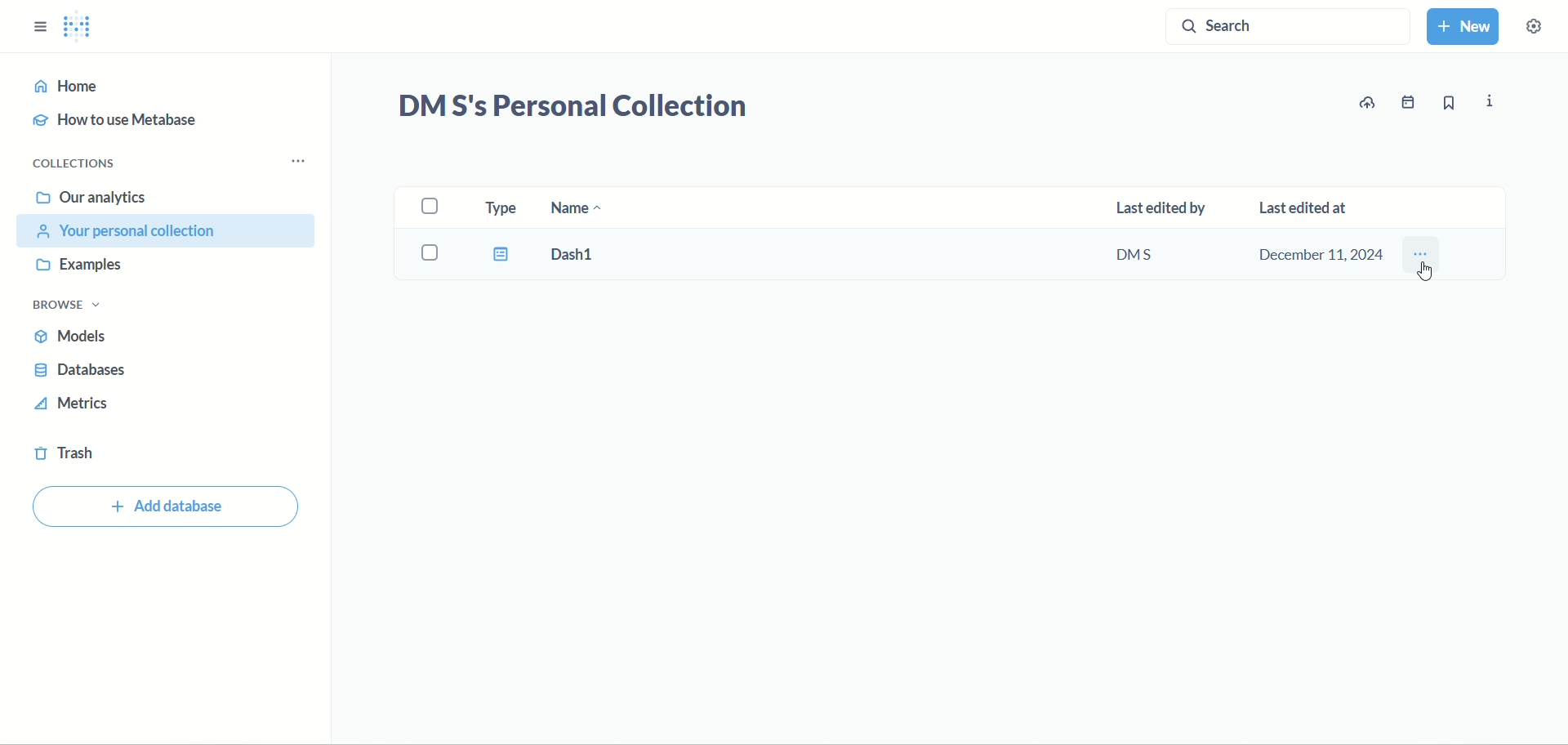 The image size is (1568, 745). I want to click on information, so click(1492, 101).